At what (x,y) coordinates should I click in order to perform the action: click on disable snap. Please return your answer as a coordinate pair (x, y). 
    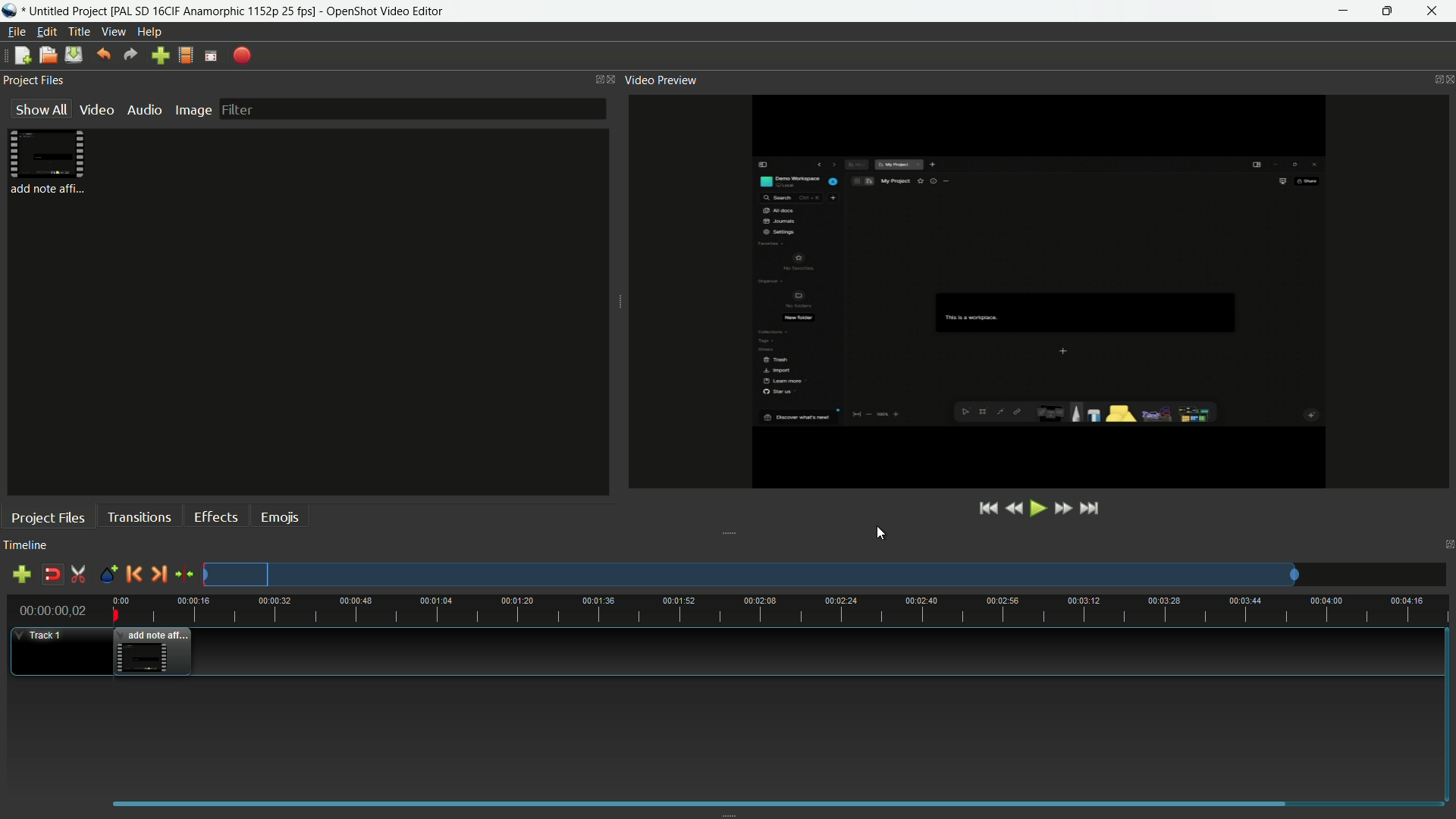
    Looking at the image, I should click on (52, 575).